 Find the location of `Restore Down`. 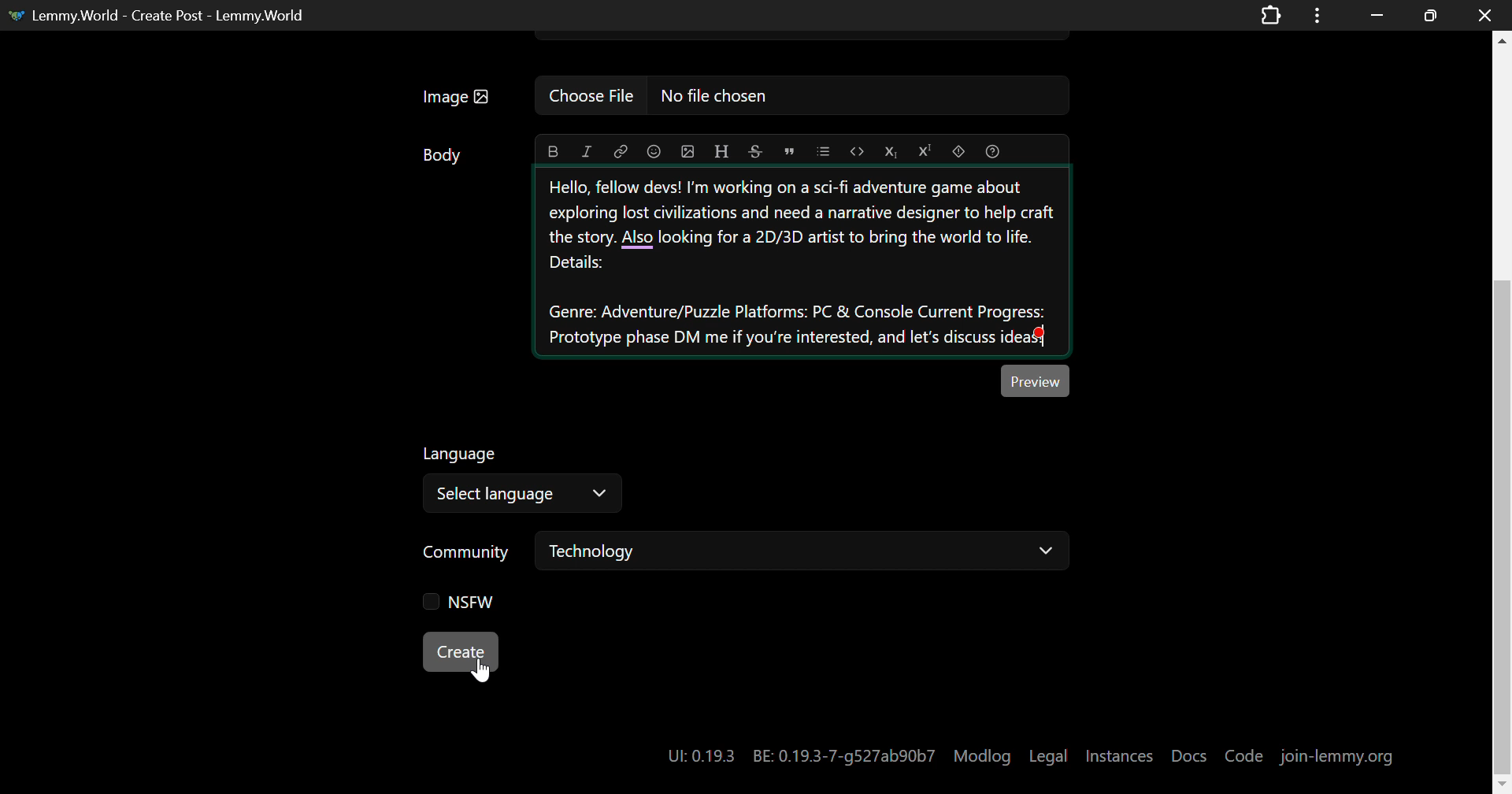

Restore Down is located at coordinates (1377, 15).